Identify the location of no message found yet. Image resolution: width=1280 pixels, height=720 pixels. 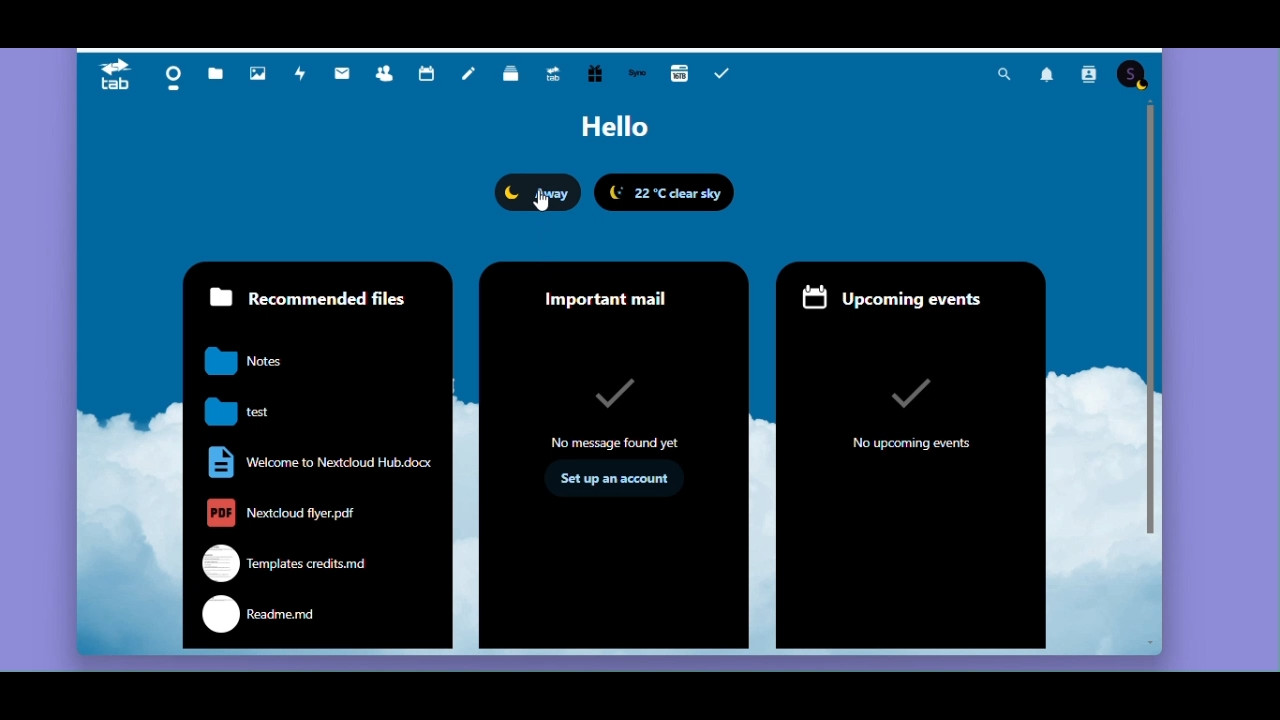
(618, 409).